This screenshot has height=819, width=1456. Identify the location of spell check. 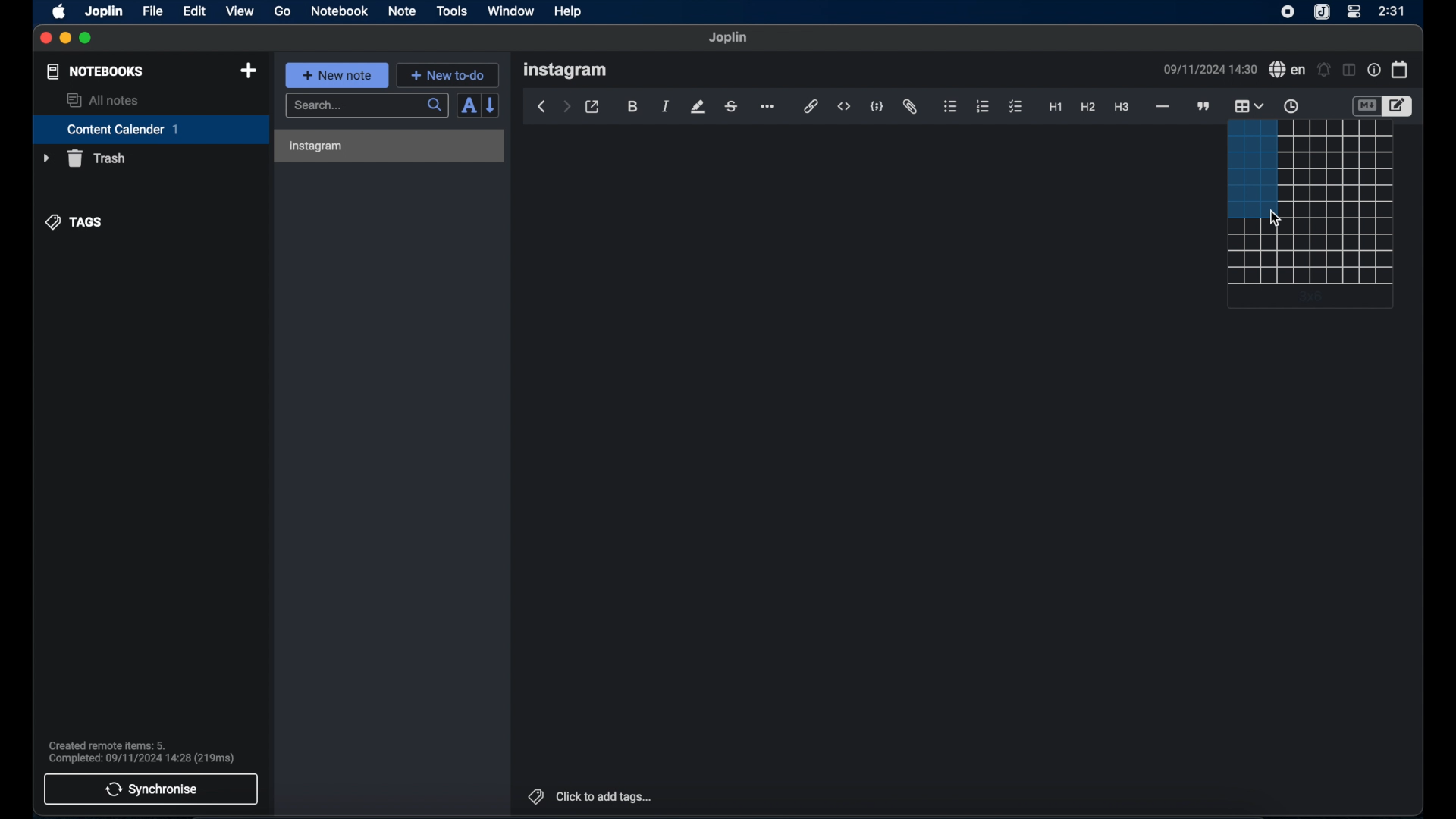
(1288, 69).